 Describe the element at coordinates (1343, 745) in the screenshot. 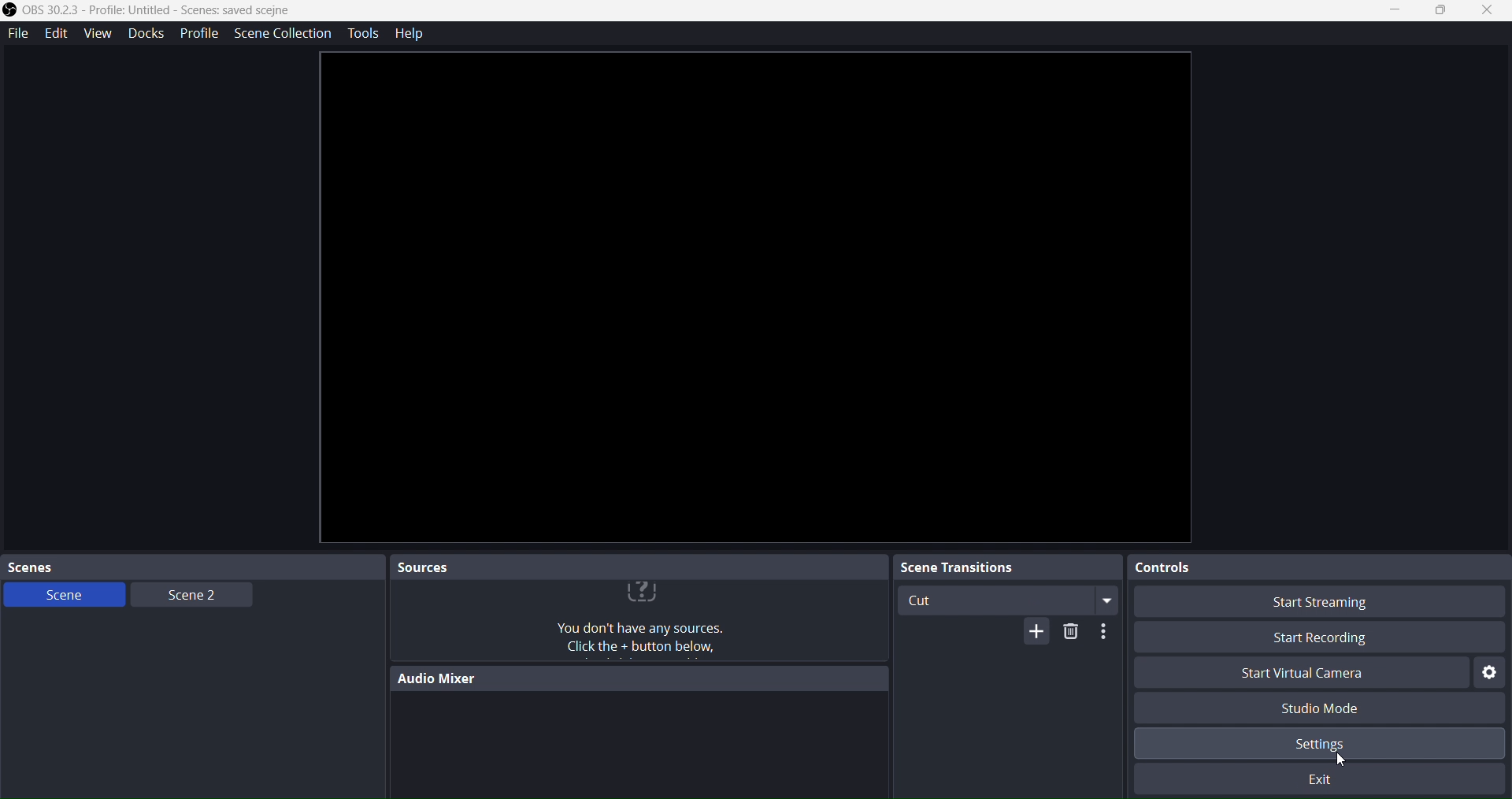

I see `Settings` at that location.